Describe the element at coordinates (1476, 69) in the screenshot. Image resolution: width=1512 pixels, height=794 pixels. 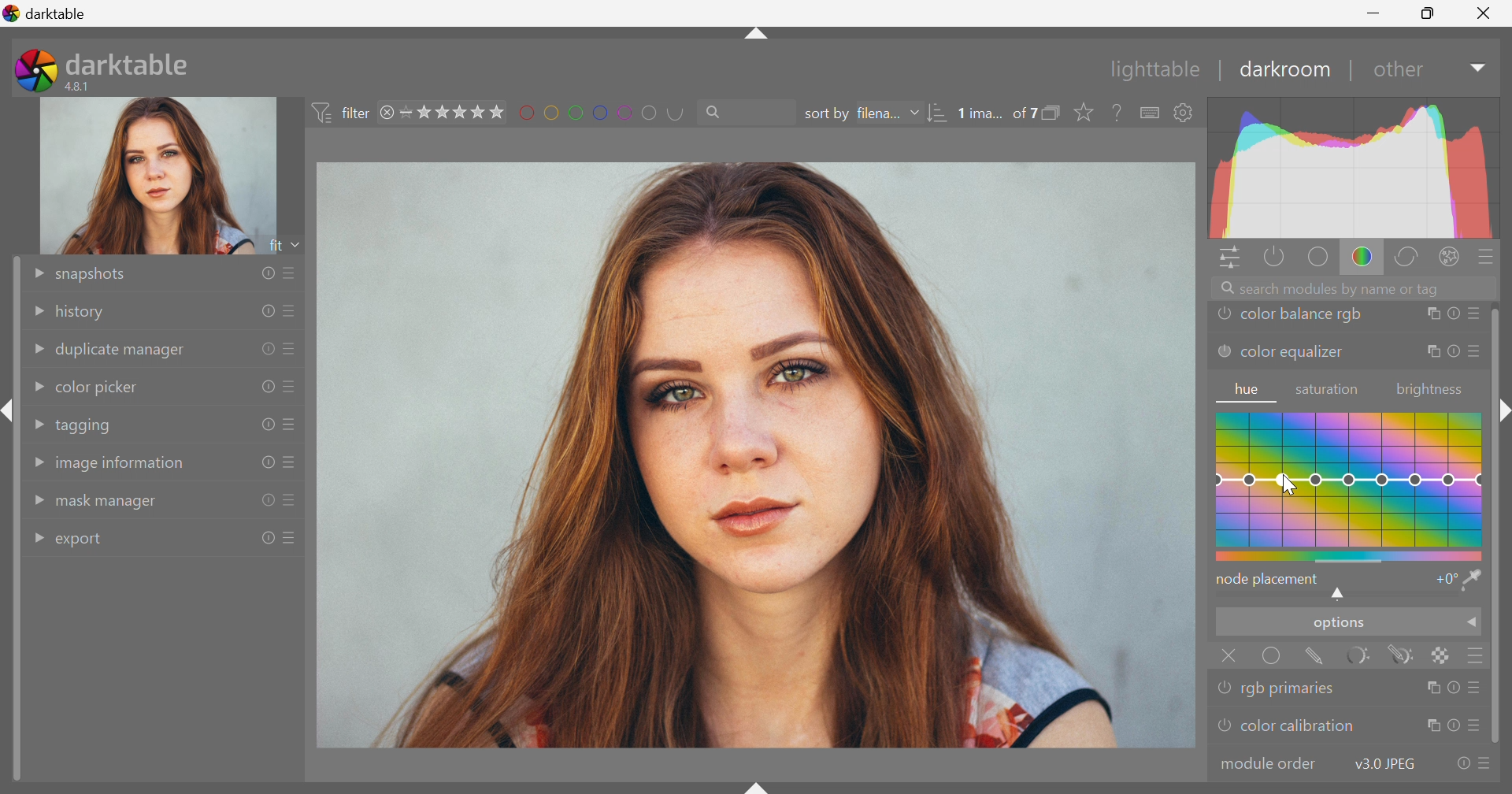
I see `Drop Down` at that location.